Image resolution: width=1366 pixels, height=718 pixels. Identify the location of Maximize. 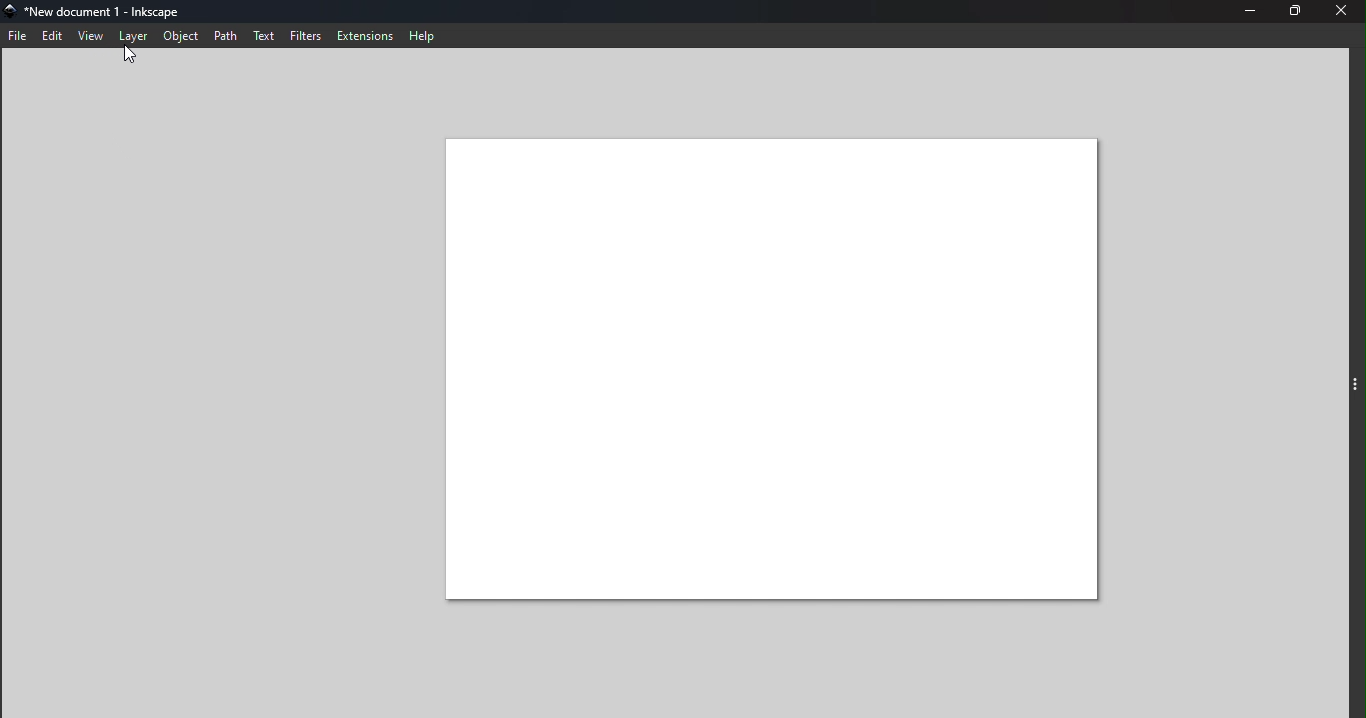
(1300, 12).